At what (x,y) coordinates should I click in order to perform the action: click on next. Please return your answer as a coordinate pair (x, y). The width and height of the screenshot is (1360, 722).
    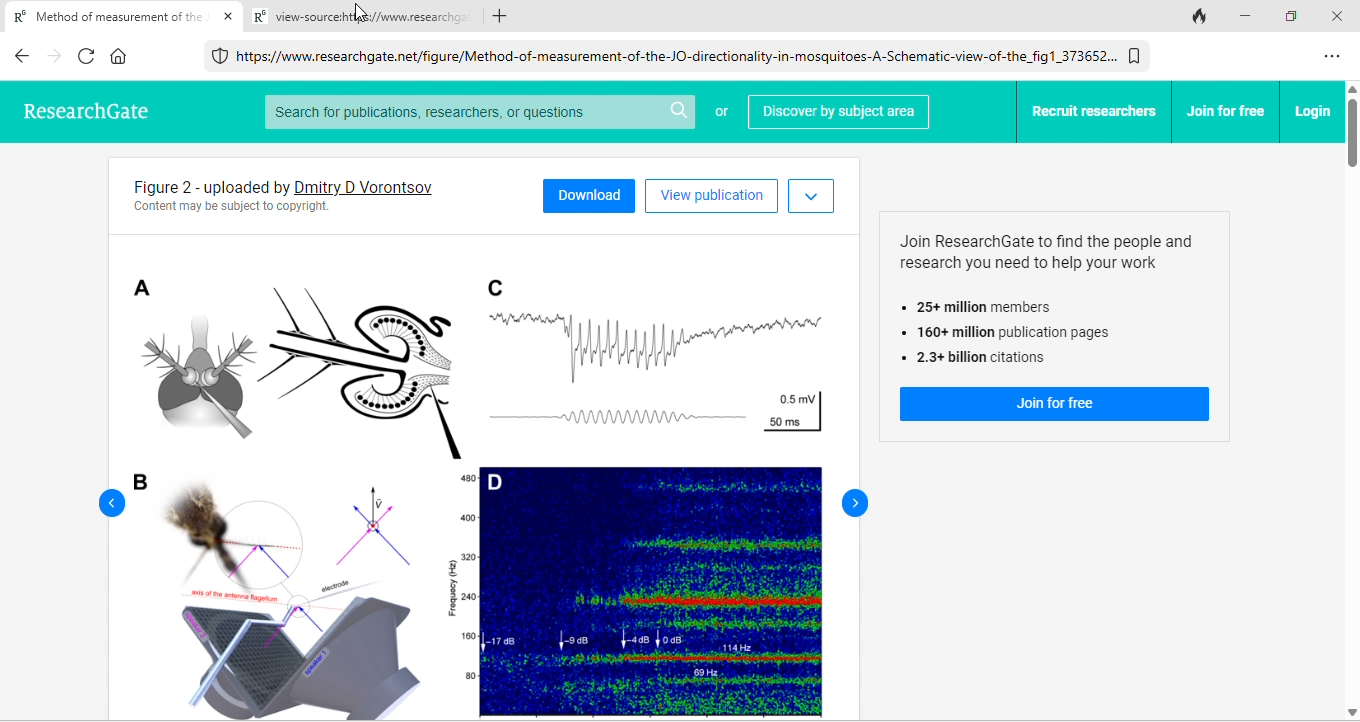
    Looking at the image, I should click on (856, 504).